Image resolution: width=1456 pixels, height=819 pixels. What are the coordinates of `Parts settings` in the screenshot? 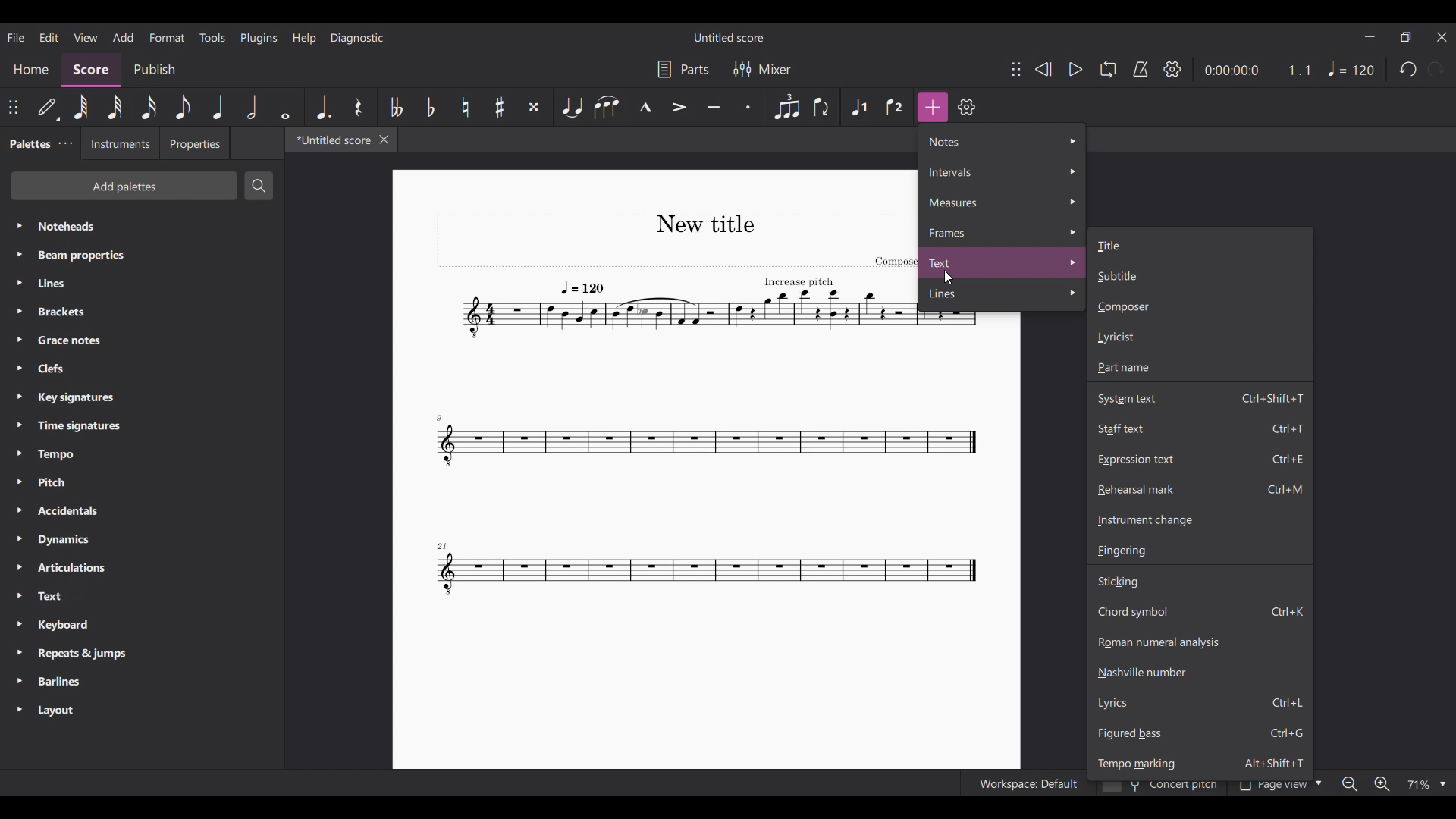 It's located at (684, 69).